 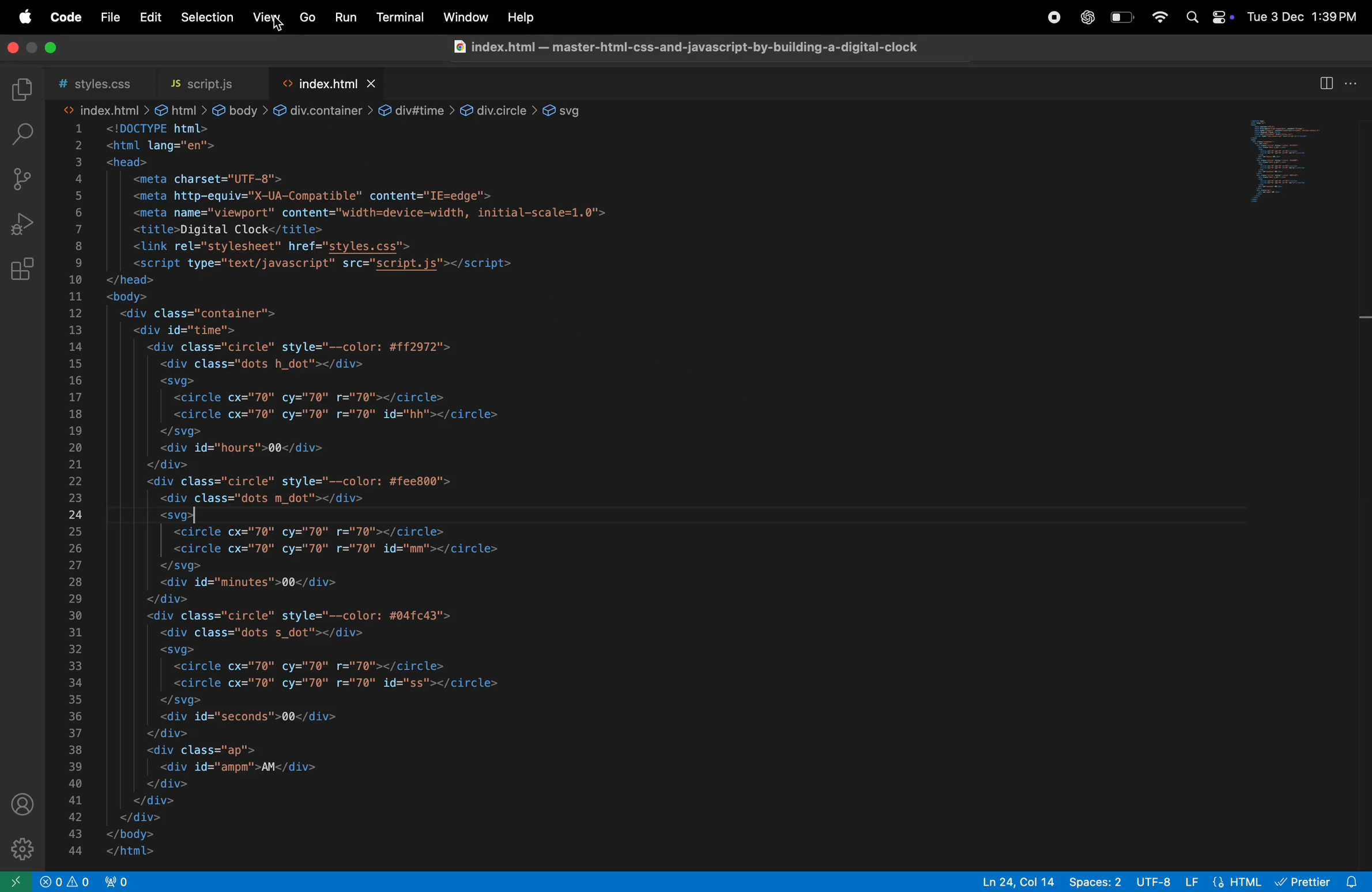 What do you see at coordinates (54, 48) in the screenshot?
I see `maximize` at bounding box center [54, 48].